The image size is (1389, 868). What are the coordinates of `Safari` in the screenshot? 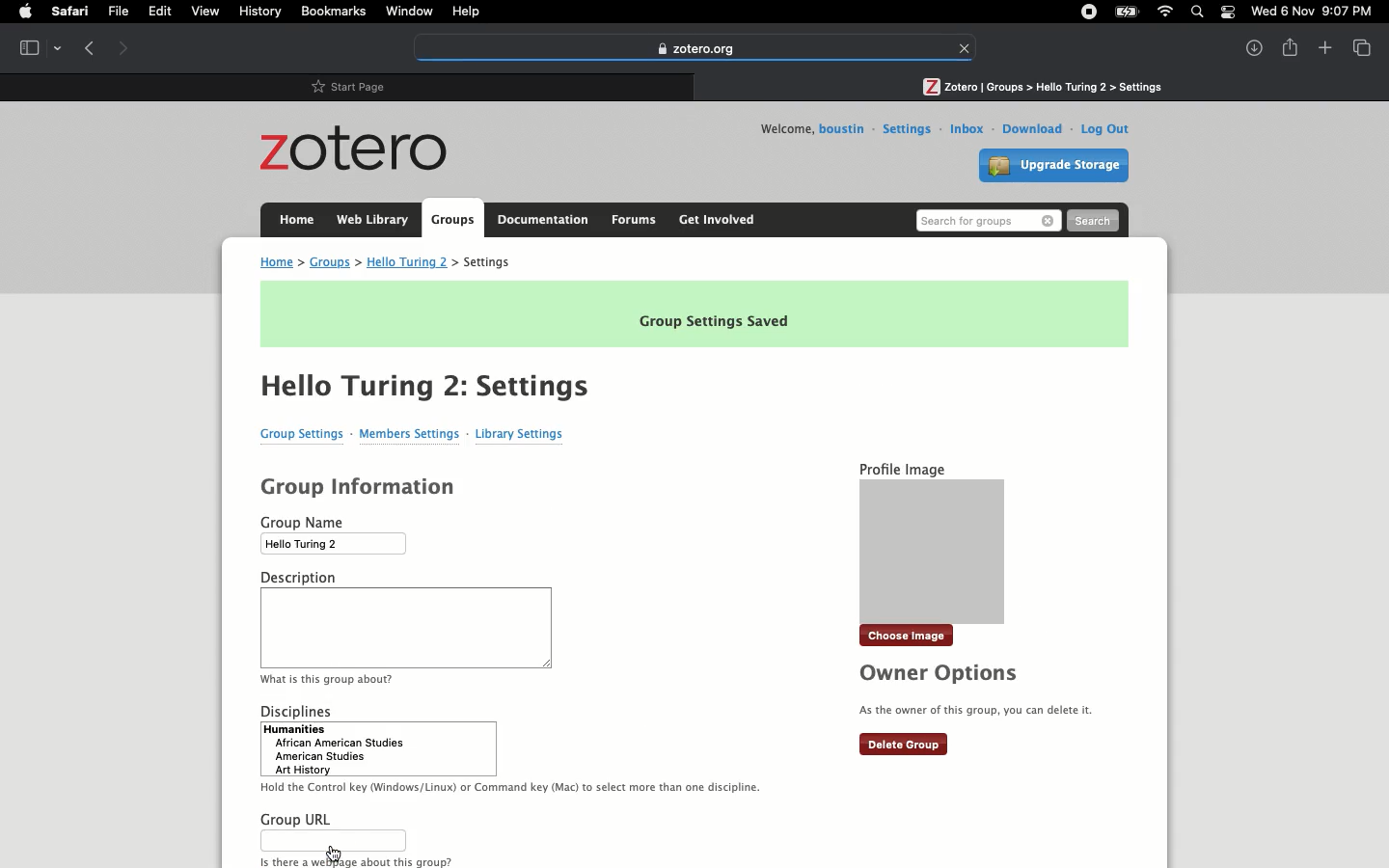 It's located at (72, 12).